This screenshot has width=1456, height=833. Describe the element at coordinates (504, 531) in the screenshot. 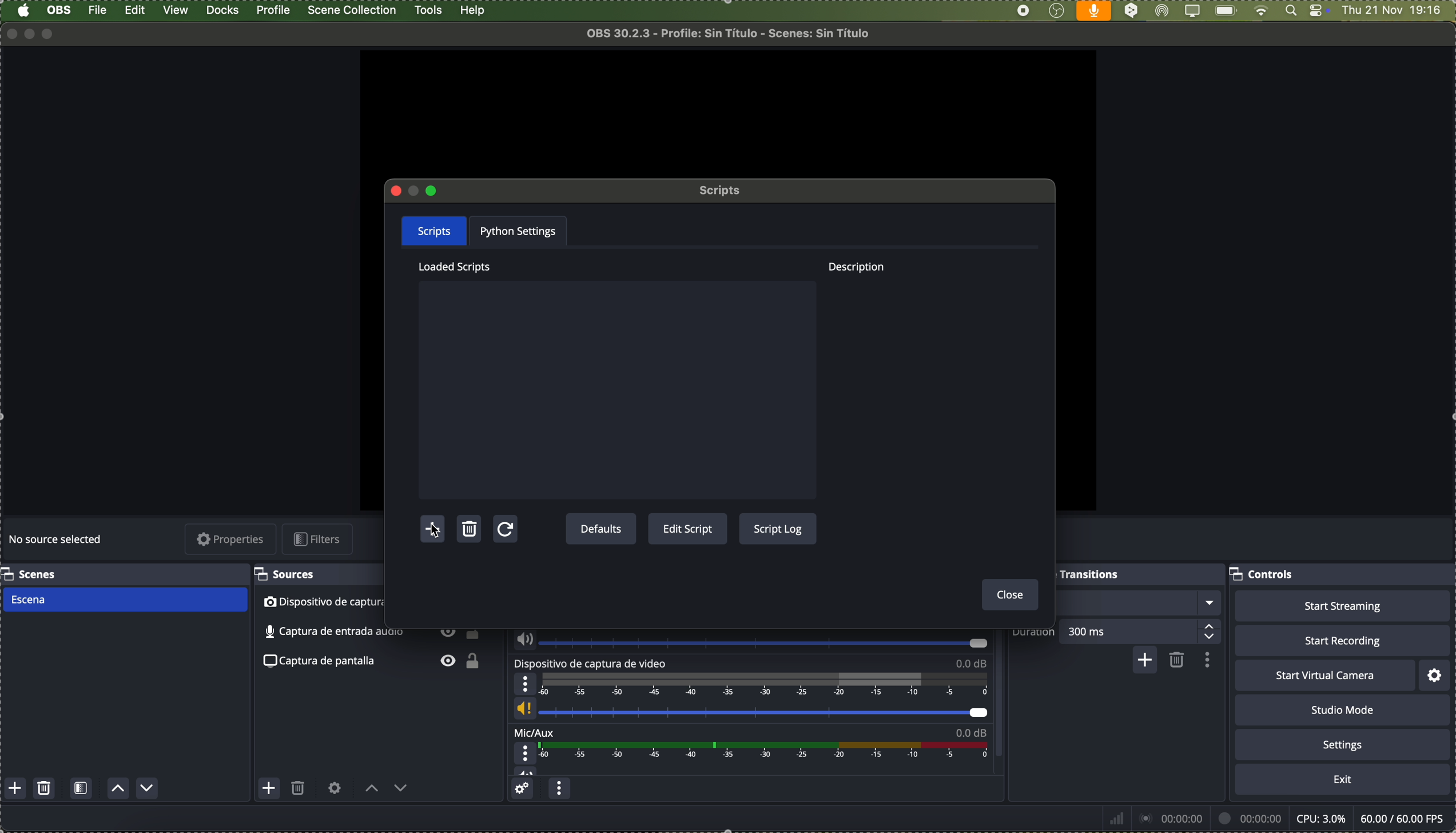

I see `refresh` at that location.